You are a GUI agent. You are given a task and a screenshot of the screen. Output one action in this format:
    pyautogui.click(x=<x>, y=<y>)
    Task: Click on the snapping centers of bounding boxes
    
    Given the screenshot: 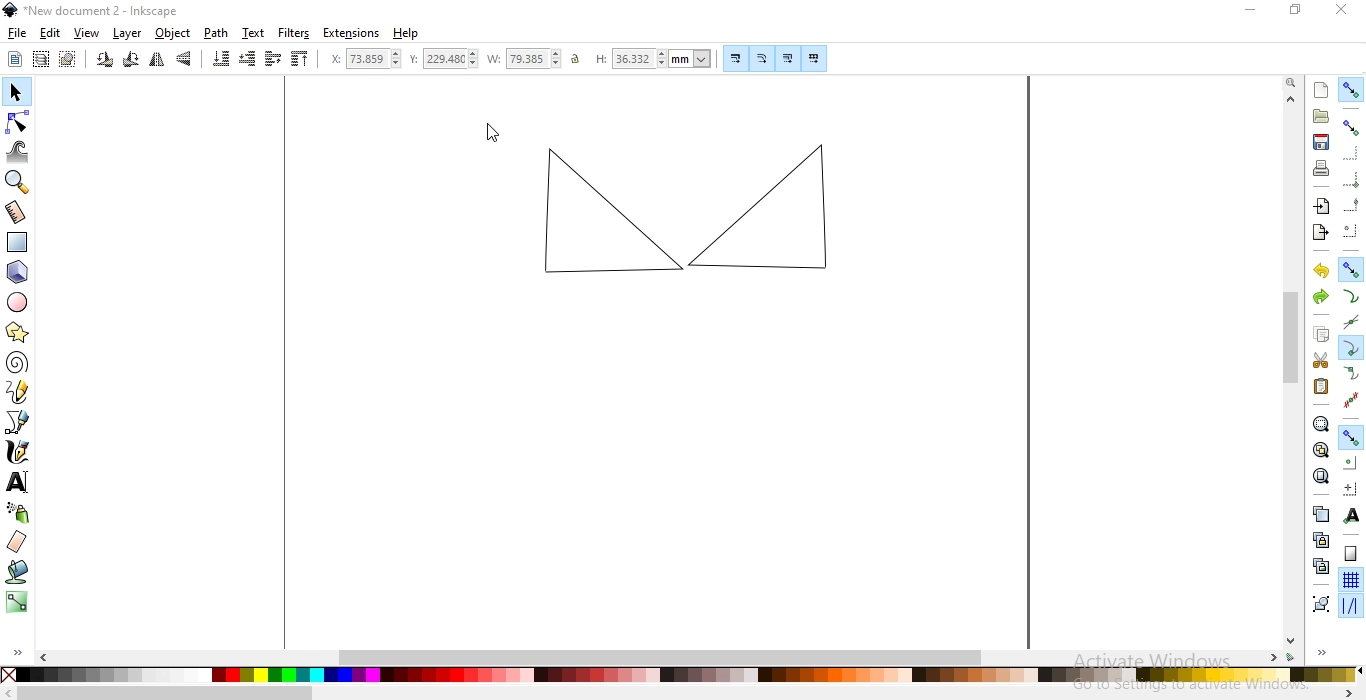 What is the action you would take?
    pyautogui.click(x=1351, y=229)
    